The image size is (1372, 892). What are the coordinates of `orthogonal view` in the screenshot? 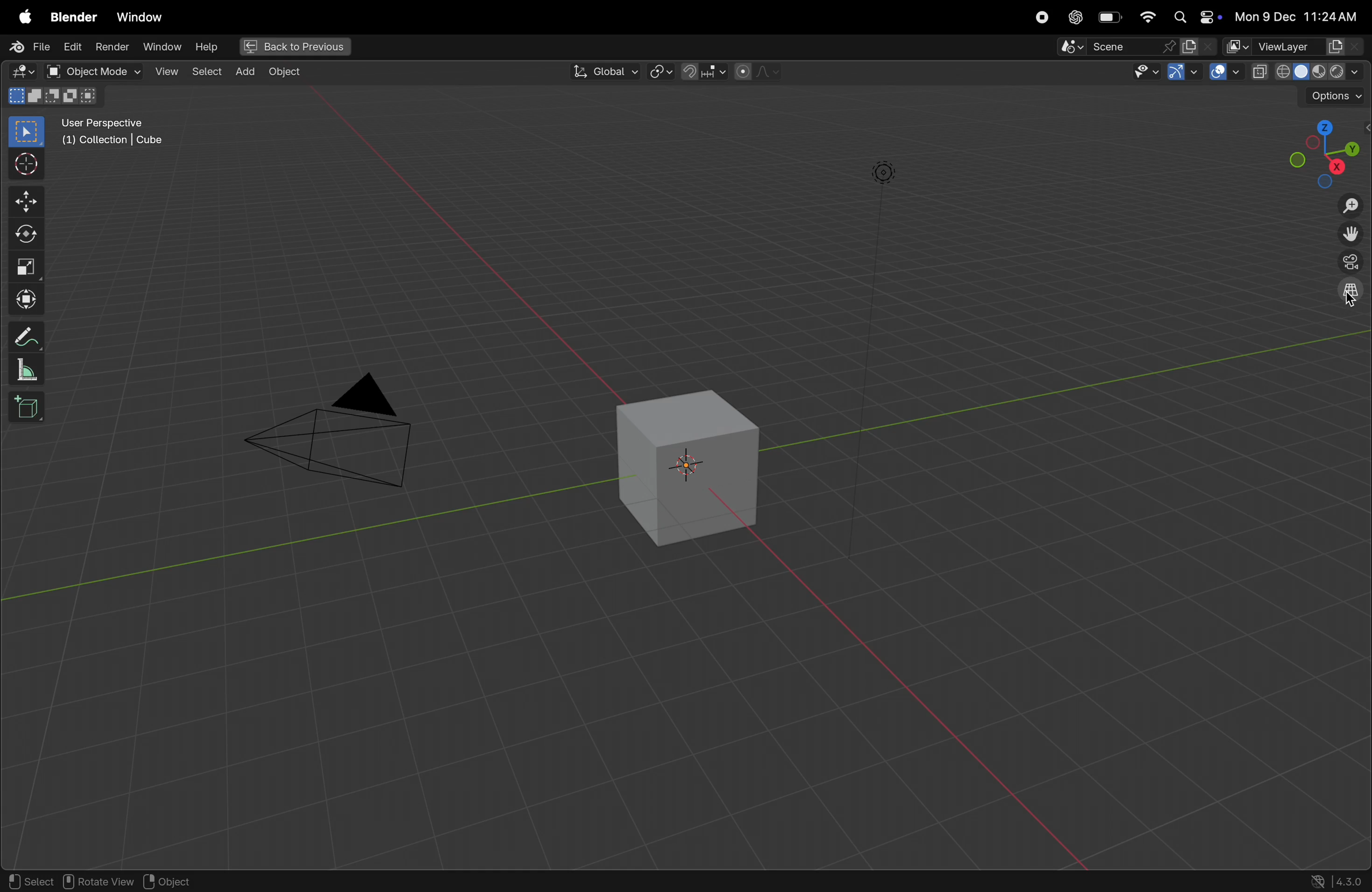 It's located at (1349, 293).